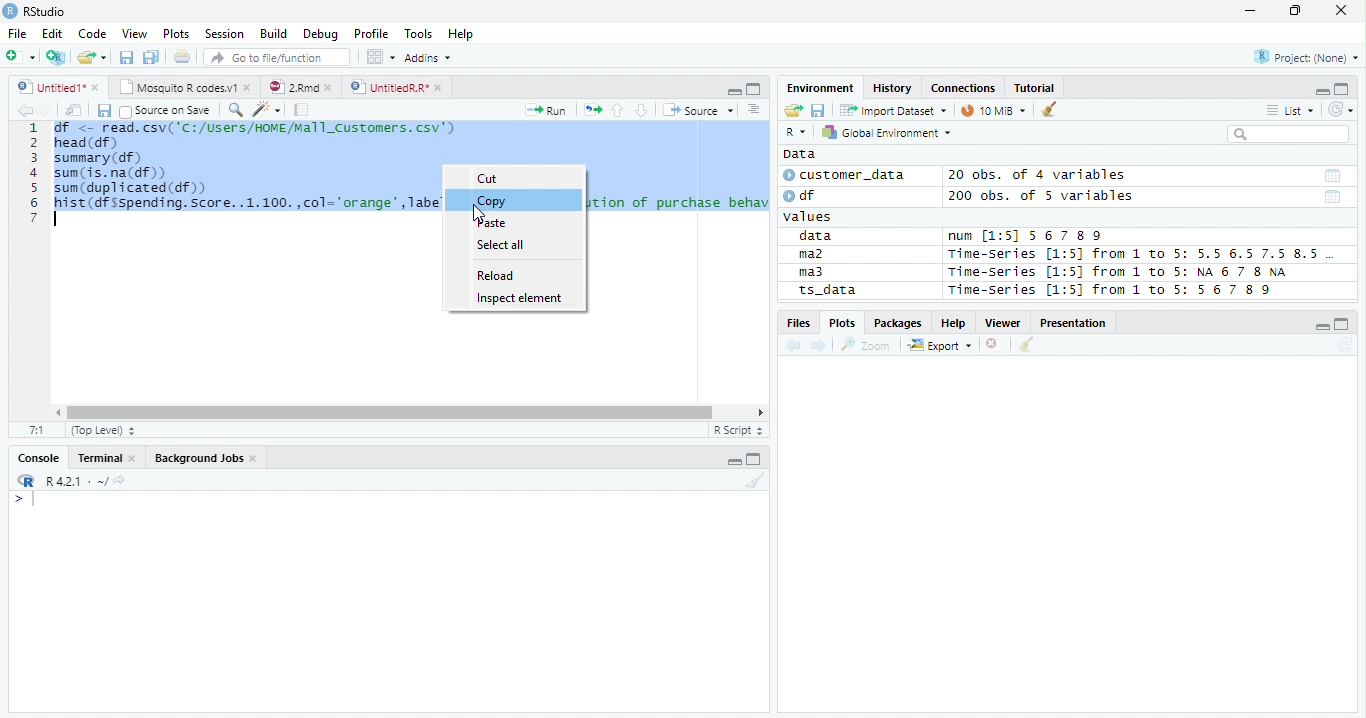  I want to click on History, so click(894, 89).